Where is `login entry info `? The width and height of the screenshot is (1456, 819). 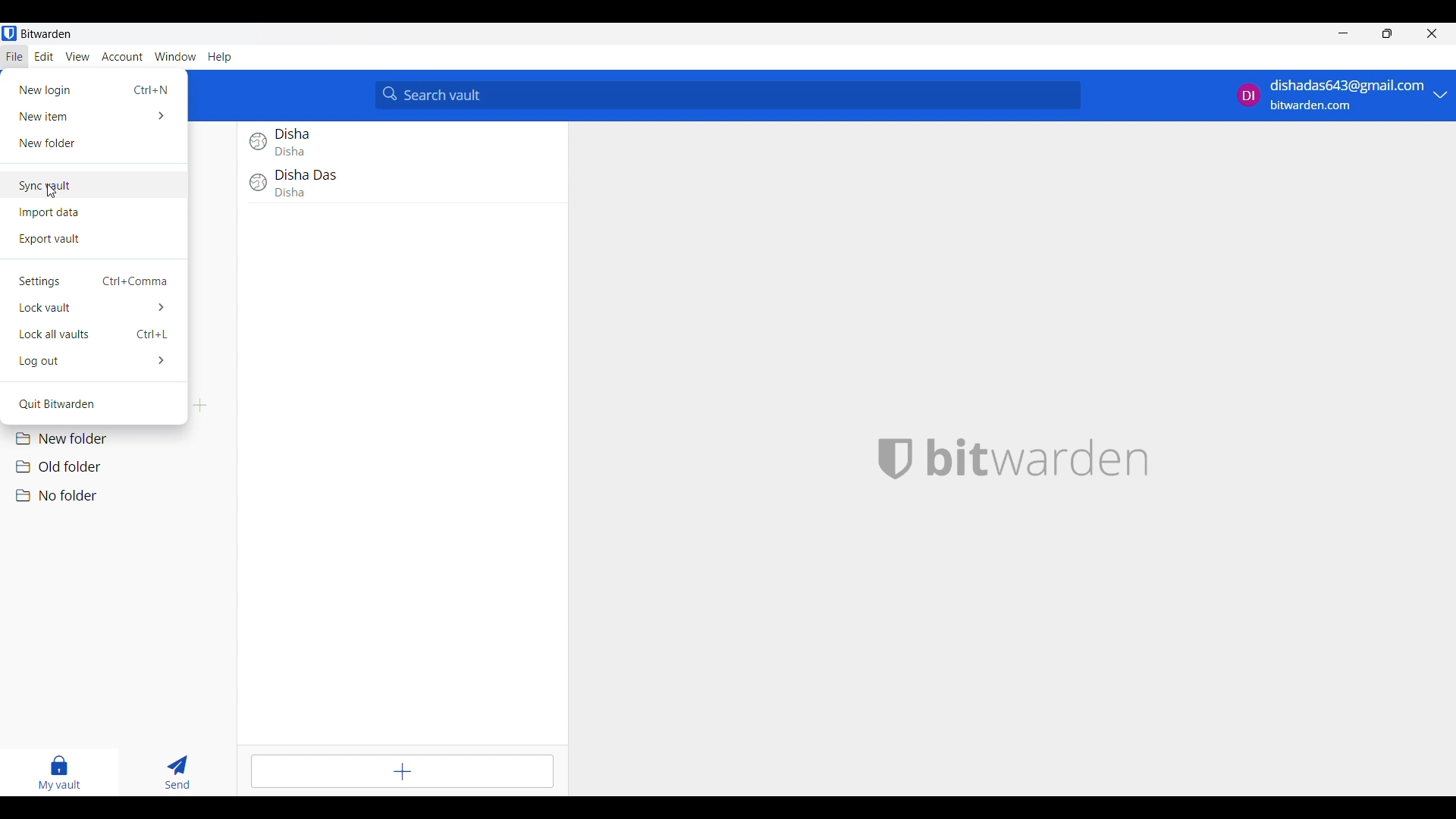
login entry info  is located at coordinates (397, 186).